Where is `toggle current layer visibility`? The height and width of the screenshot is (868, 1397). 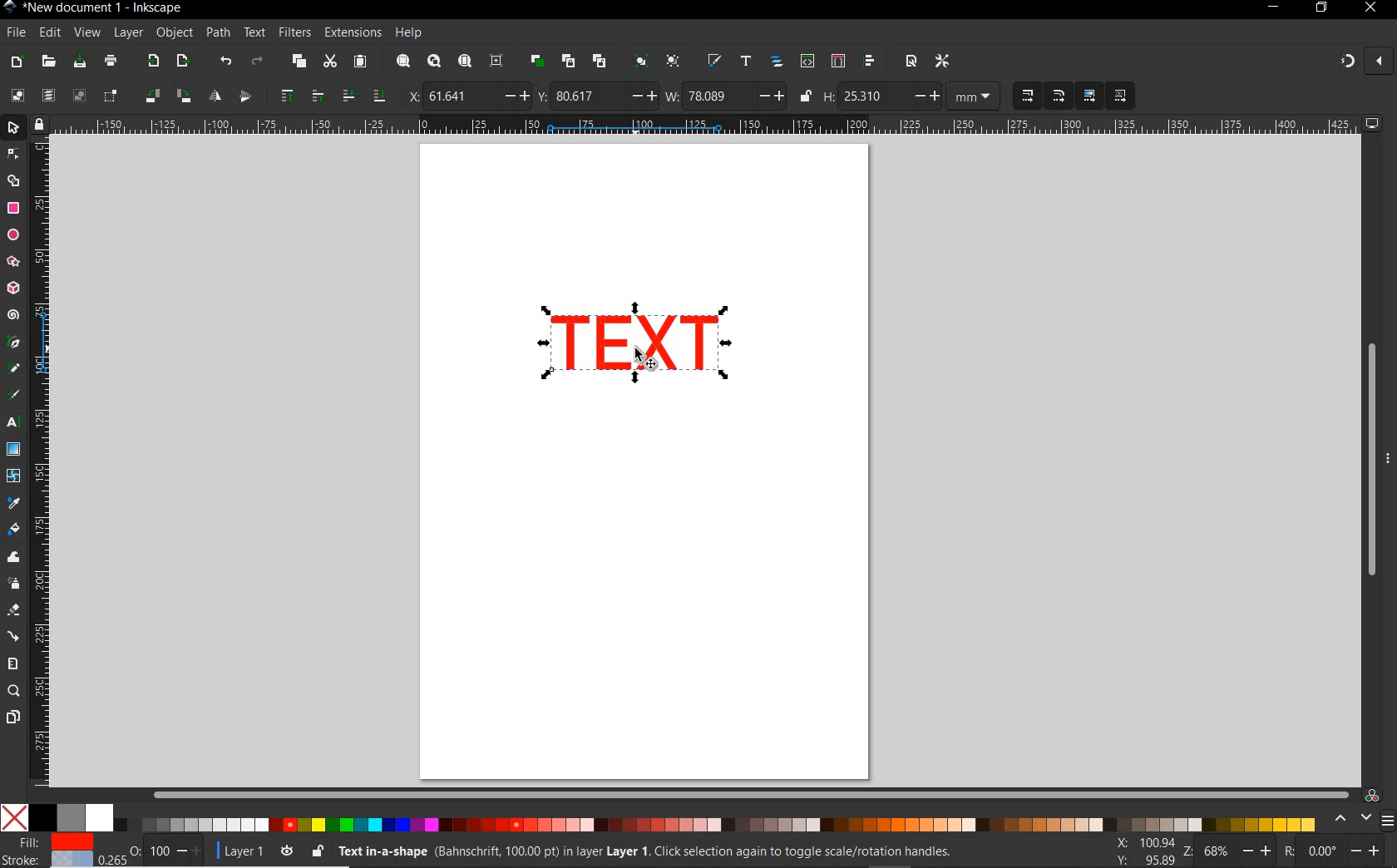
toggle current layer visibility is located at coordinates (287, 848).